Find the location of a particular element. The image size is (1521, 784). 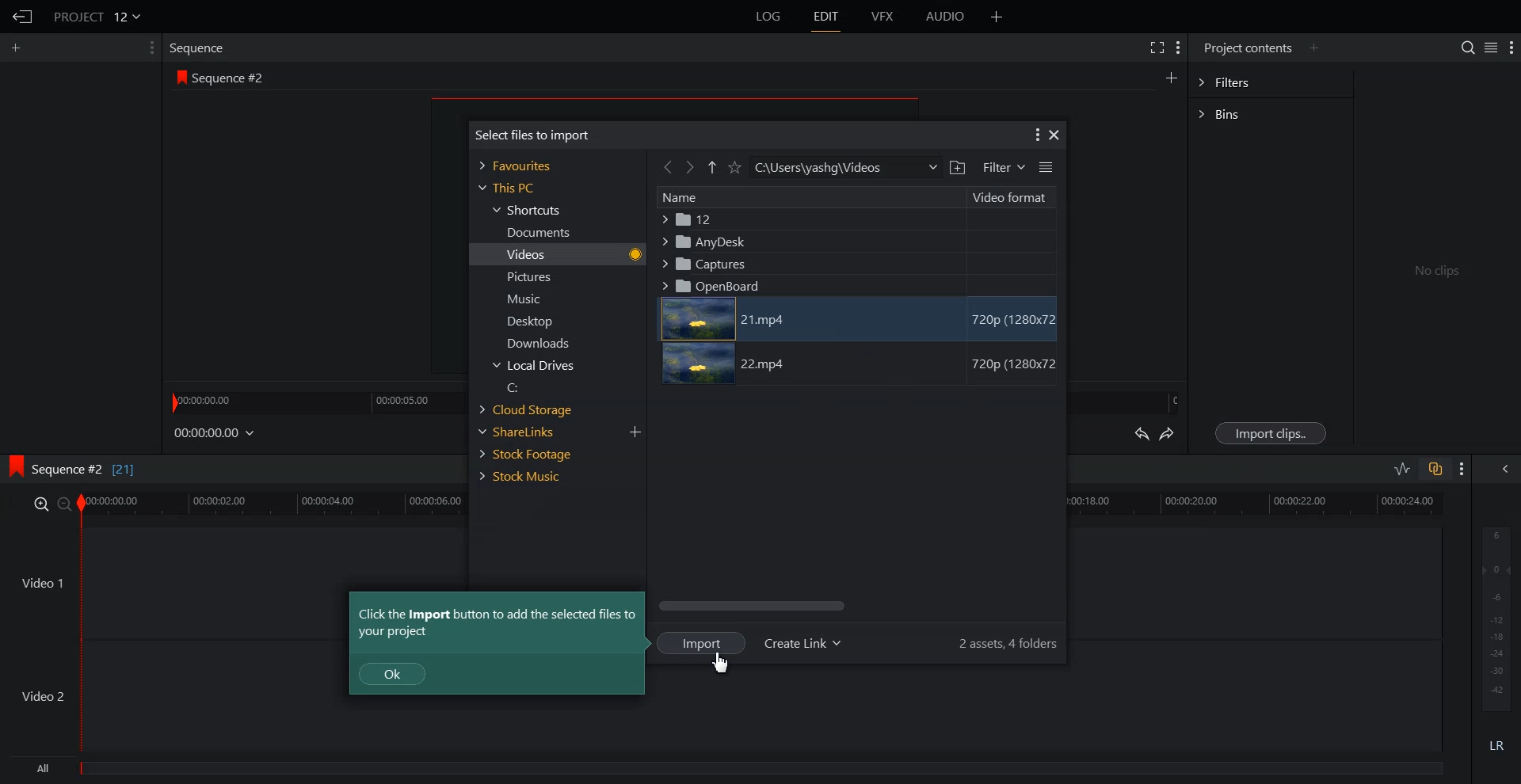

VFX is located at coordinates (883, 17).